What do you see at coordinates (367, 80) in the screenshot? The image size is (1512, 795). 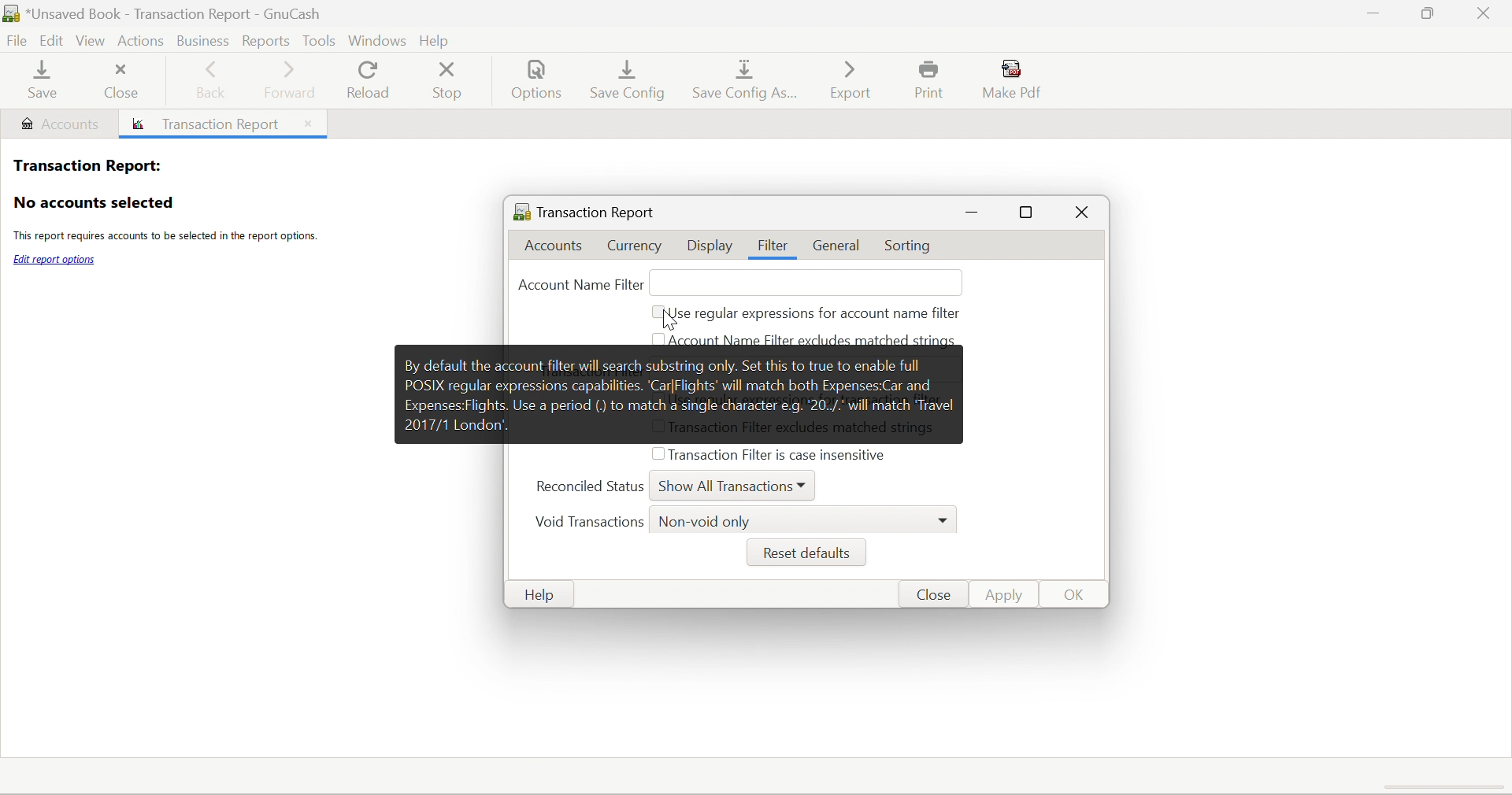 I see `Reload` at bounding box center [367, 80].